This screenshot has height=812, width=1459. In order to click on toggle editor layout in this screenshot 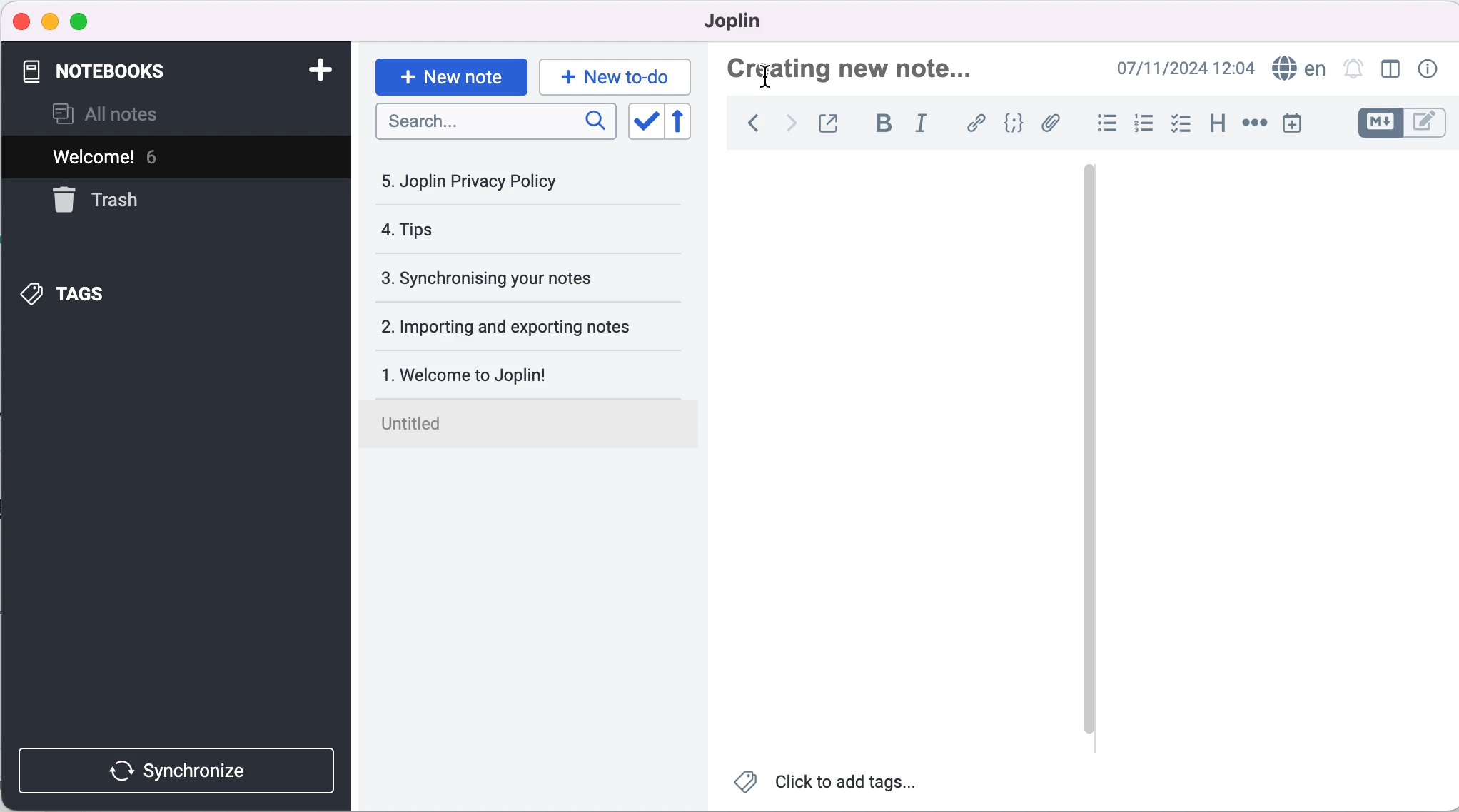, I will do `click(1387, 70)`.